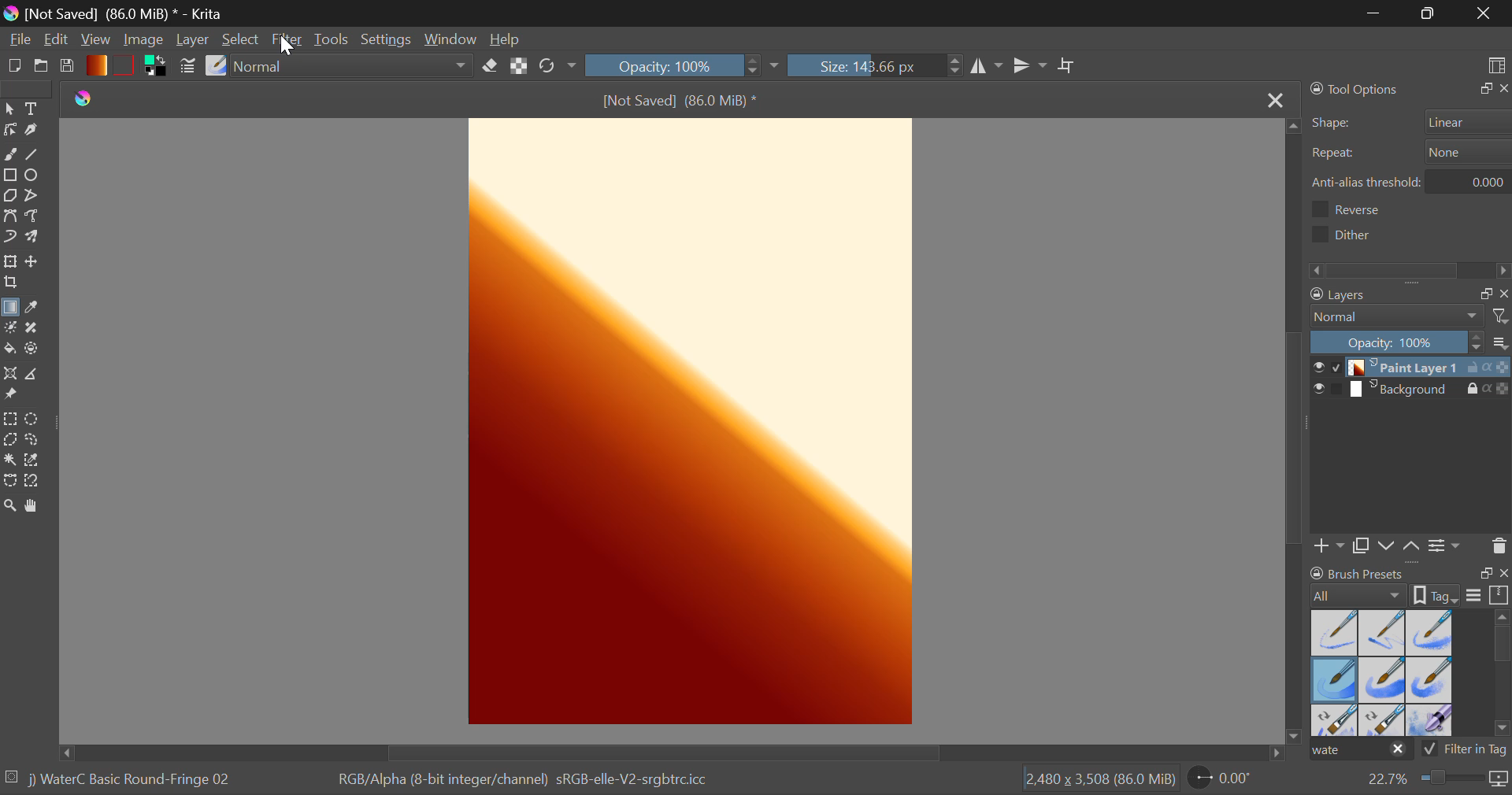  I want to click on move down, so click(1292, 730).